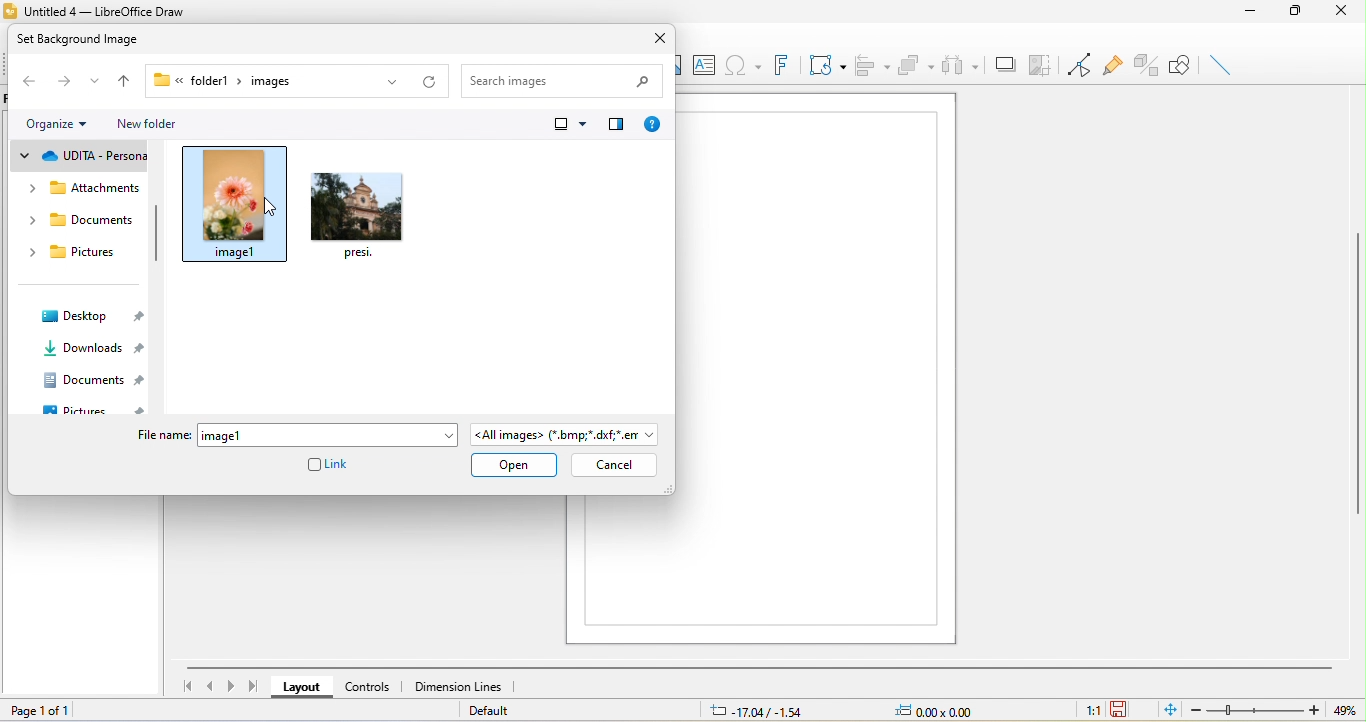 The width and height of the screenshot is (1366, 722). Describe the element at coordinates (613, 465) in the screenshot. I see `cancel` at that location.